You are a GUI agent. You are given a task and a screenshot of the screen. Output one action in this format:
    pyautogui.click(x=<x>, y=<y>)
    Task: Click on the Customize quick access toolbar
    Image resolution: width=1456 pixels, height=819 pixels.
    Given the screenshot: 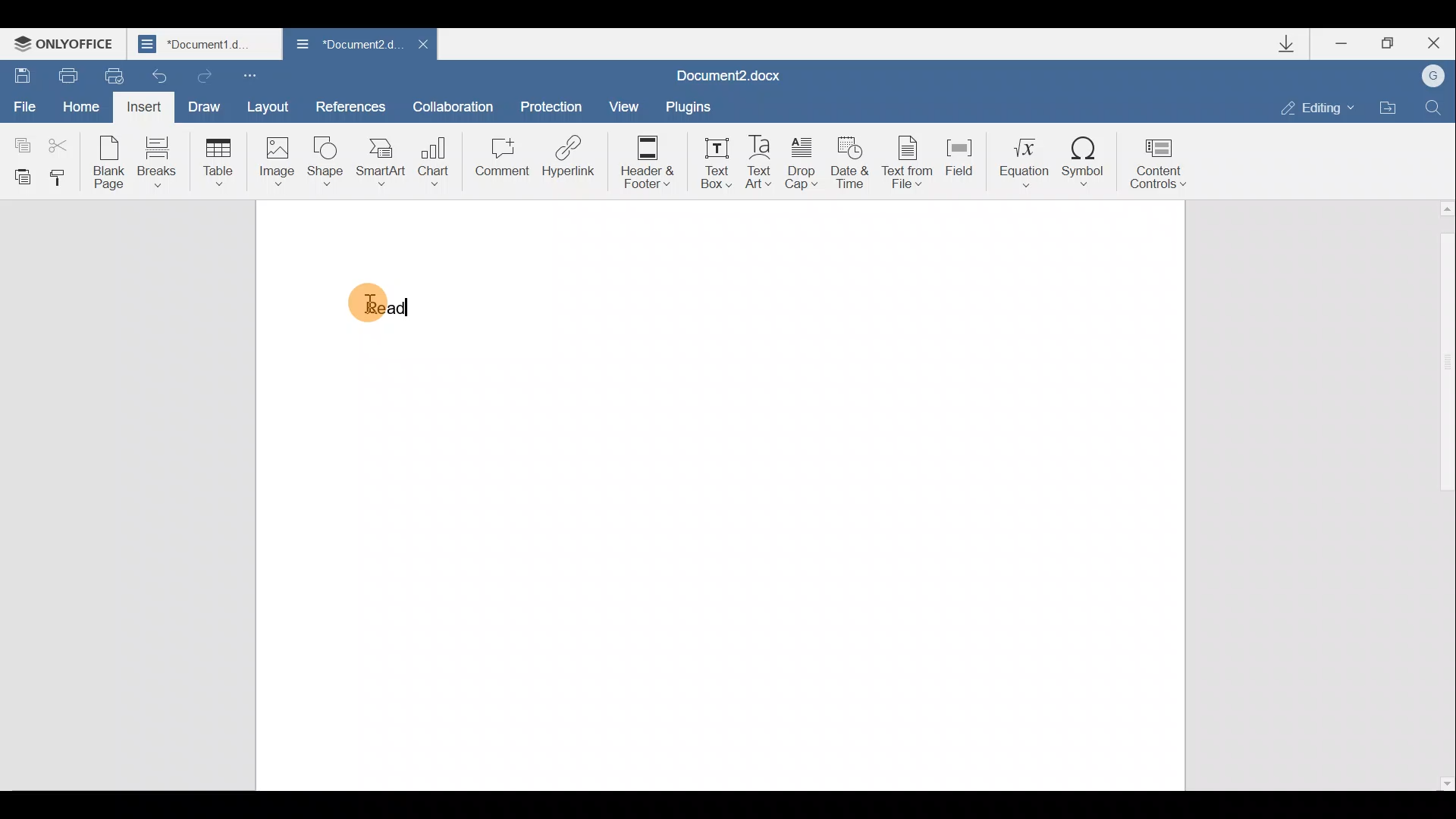 What is the action you would take?
    pyautogui.click(x=249, y=76)
    